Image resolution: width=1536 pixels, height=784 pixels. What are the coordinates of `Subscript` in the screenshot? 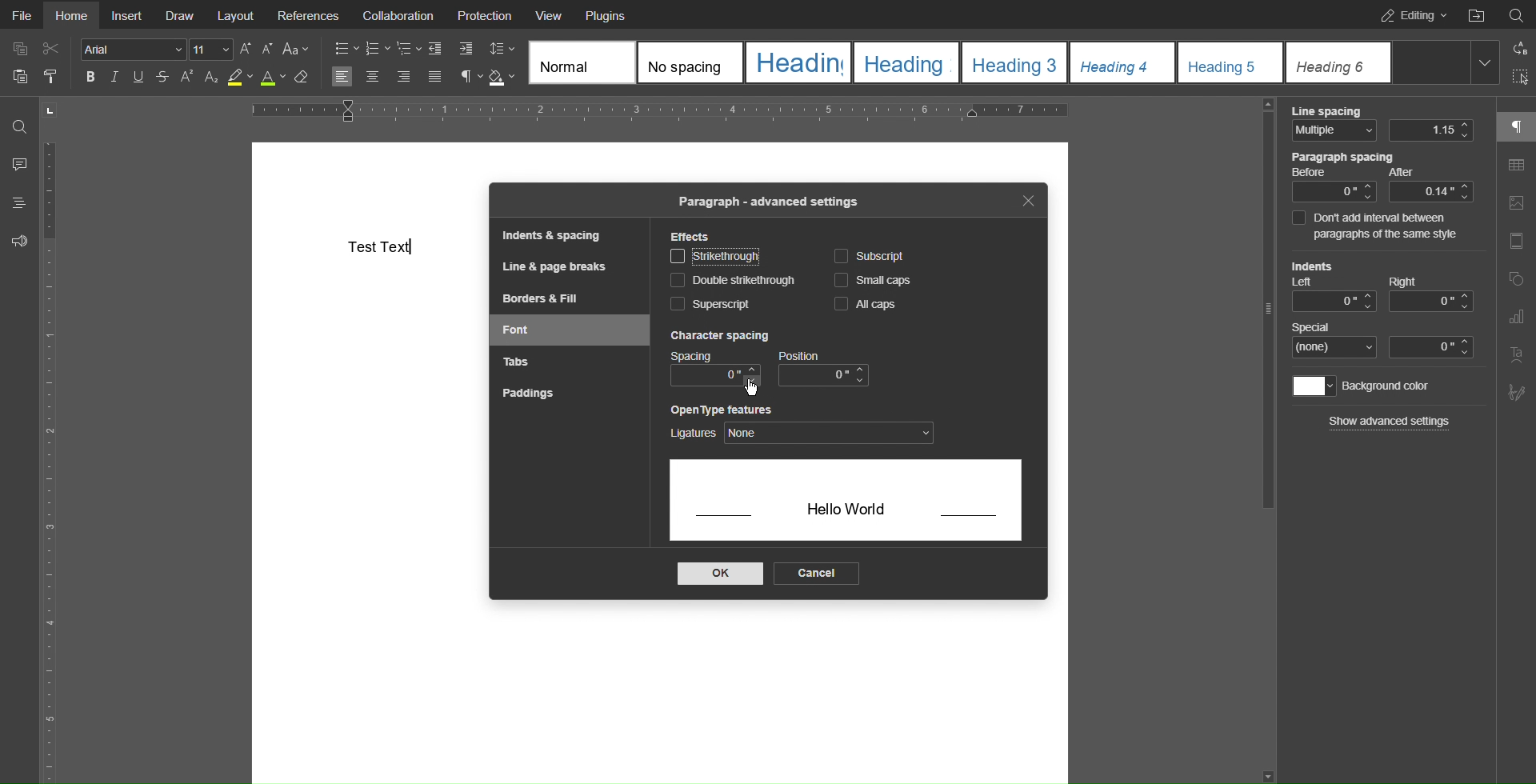 It's located at (870, 256).